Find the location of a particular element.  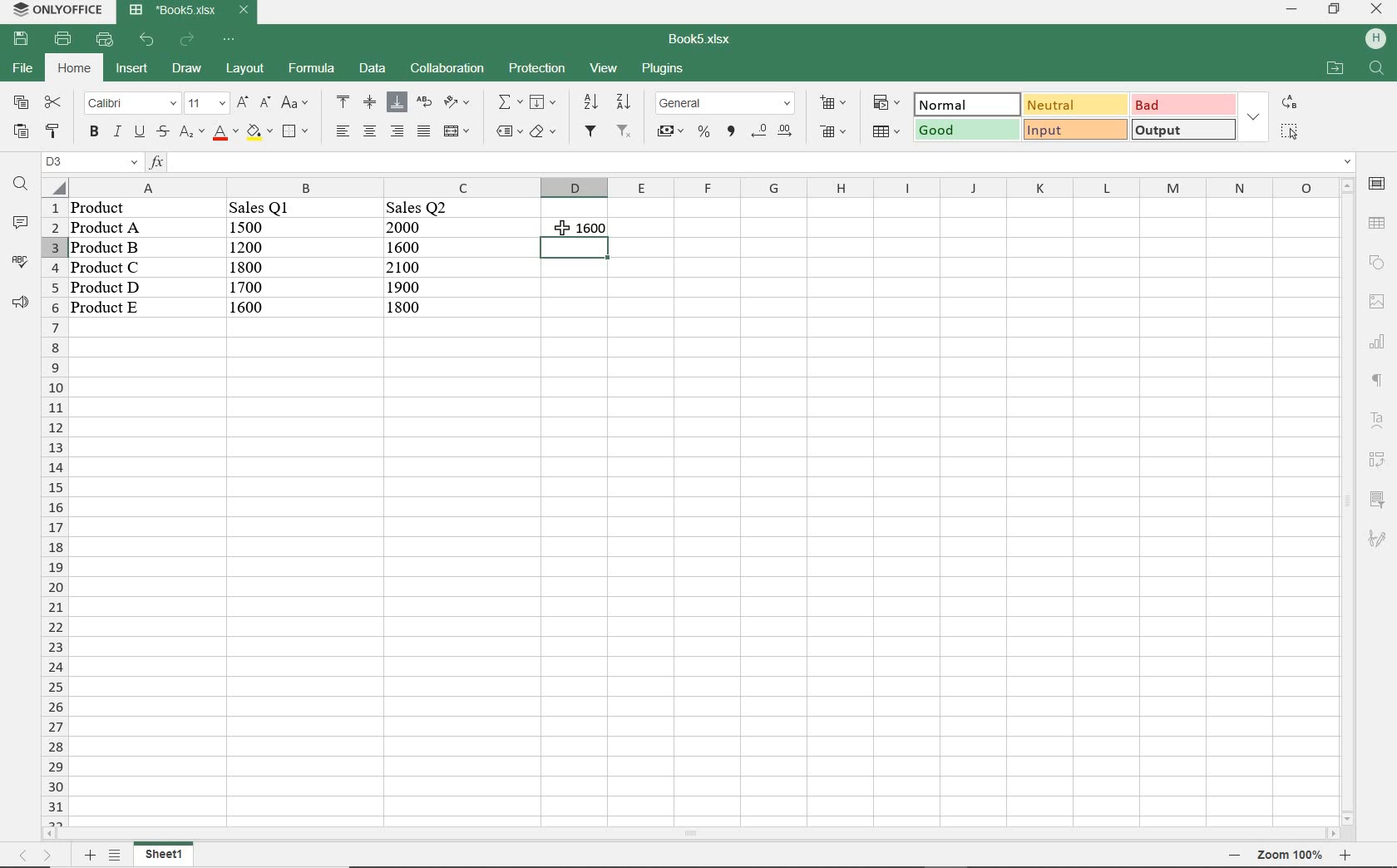

bad is located at coordinates (1181, 104).